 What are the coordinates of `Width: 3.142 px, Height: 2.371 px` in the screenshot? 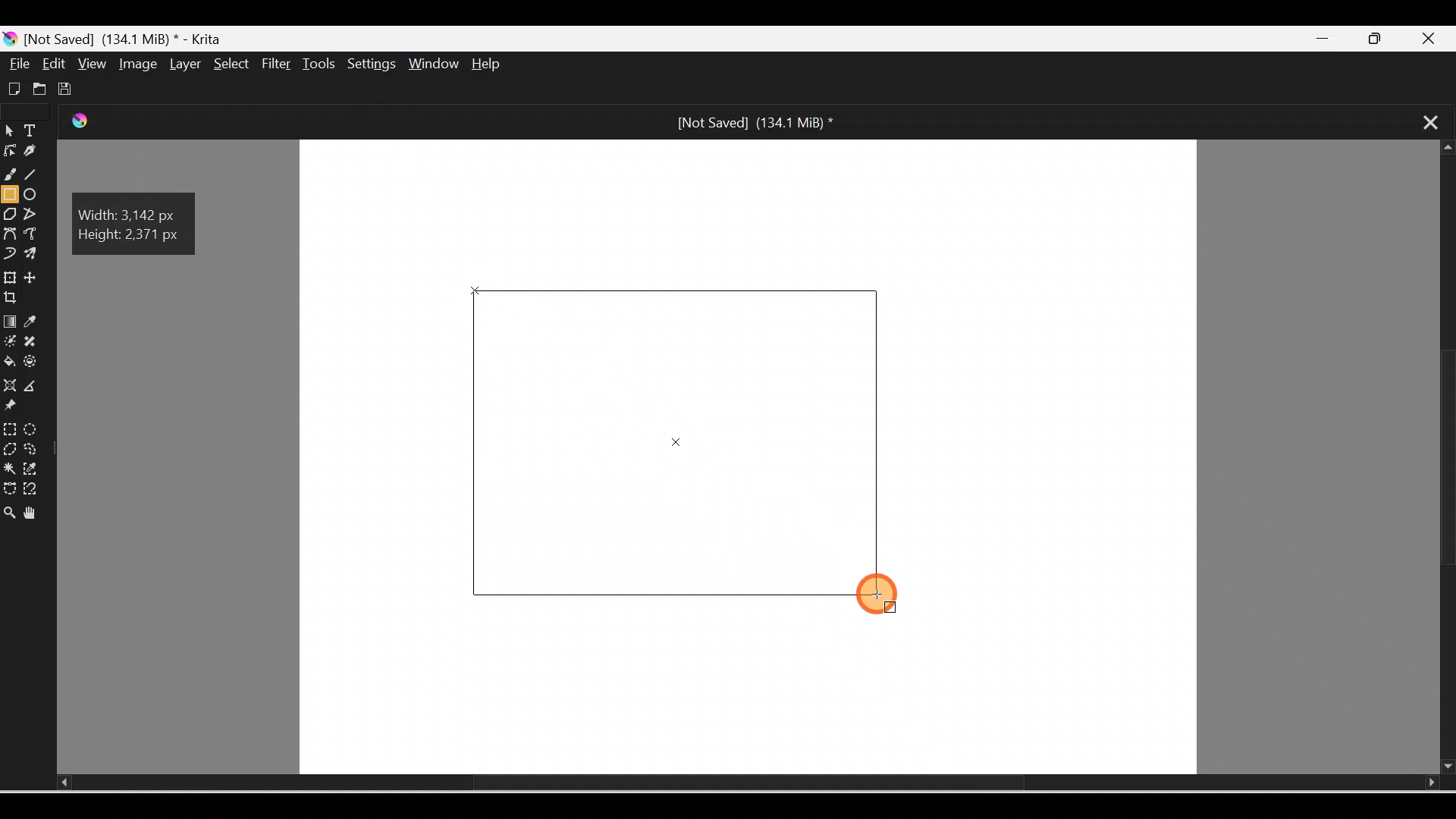 It's located at (138, 224).